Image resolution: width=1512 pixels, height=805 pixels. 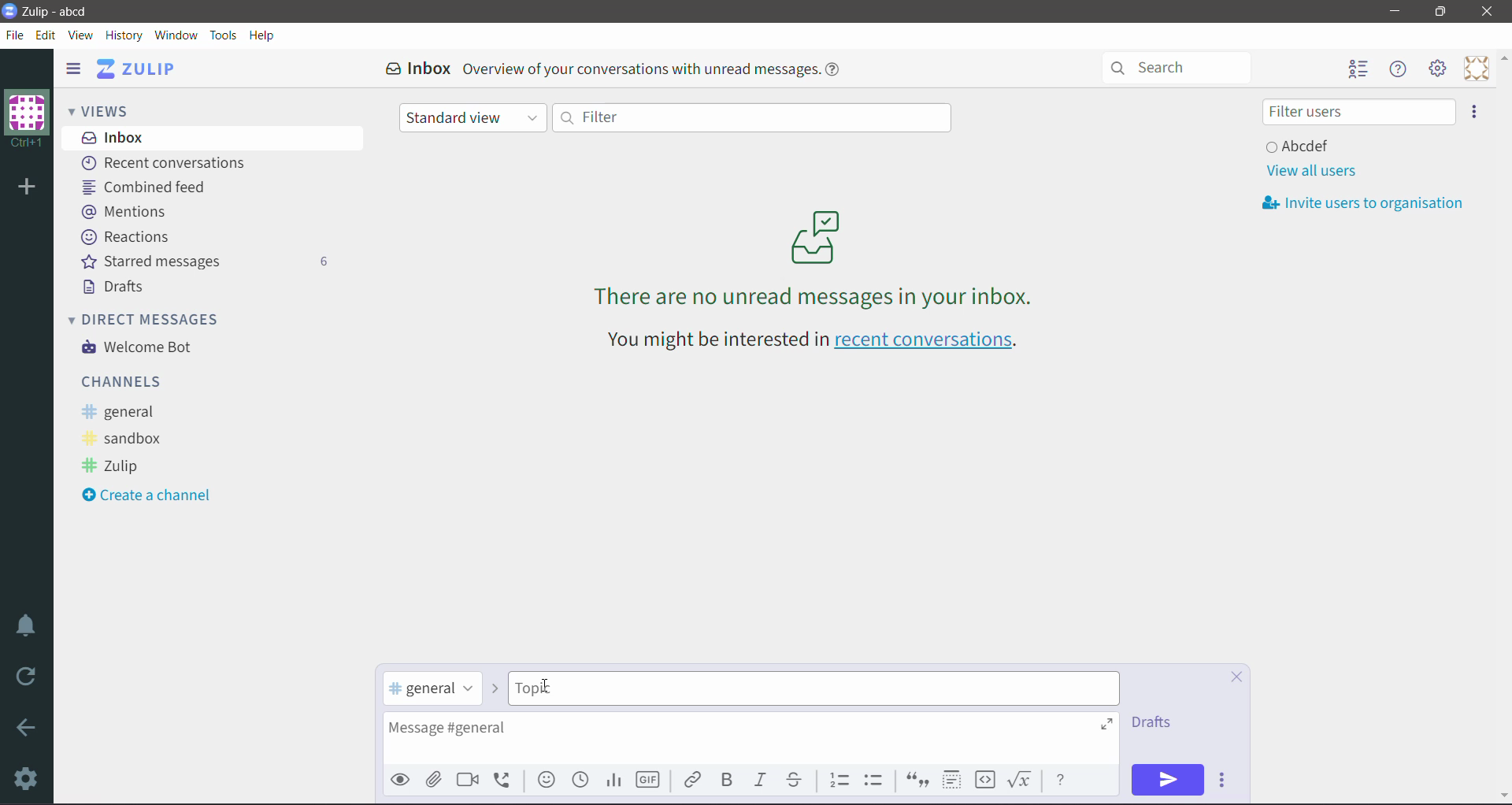 What do you see at coordinates (25, 188) in the screenshot?
I see `Add organization` at bounding box center [25, 188].